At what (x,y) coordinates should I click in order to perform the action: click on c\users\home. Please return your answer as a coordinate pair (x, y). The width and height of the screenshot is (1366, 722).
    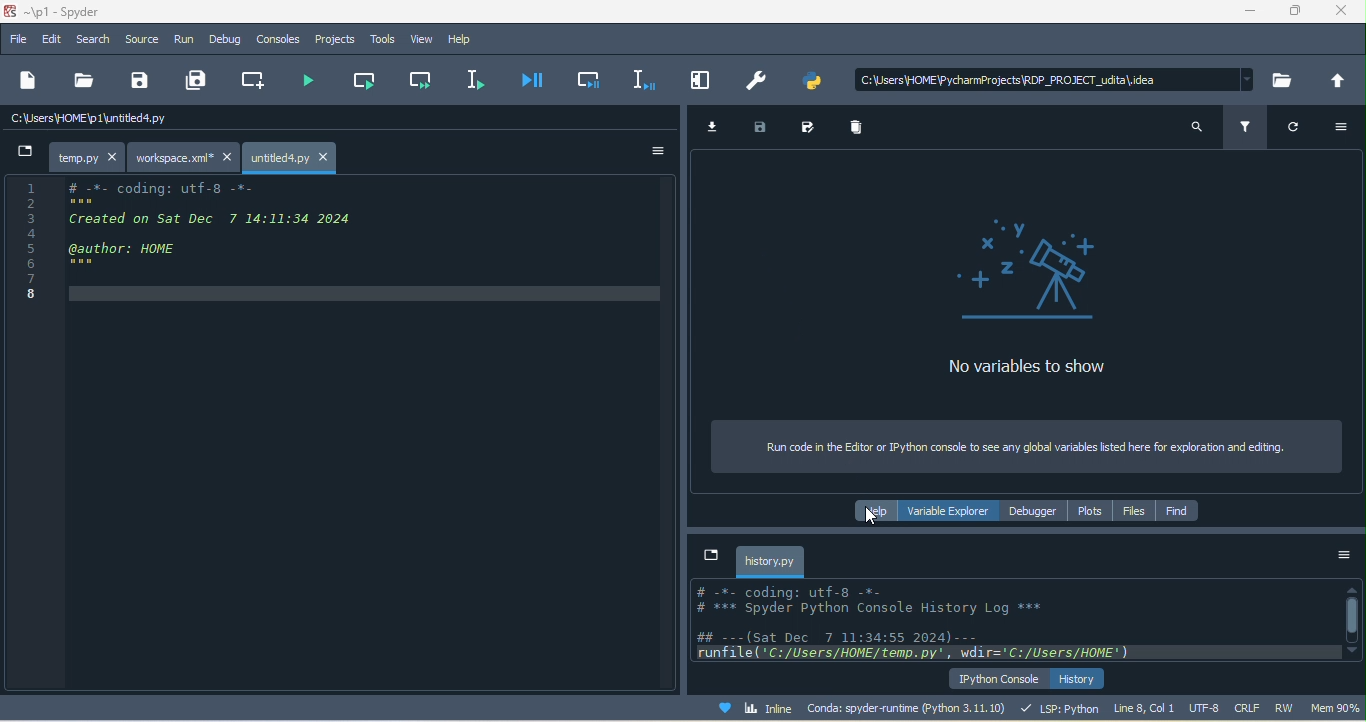
    Looking at the image, I should click on (1055, 76).